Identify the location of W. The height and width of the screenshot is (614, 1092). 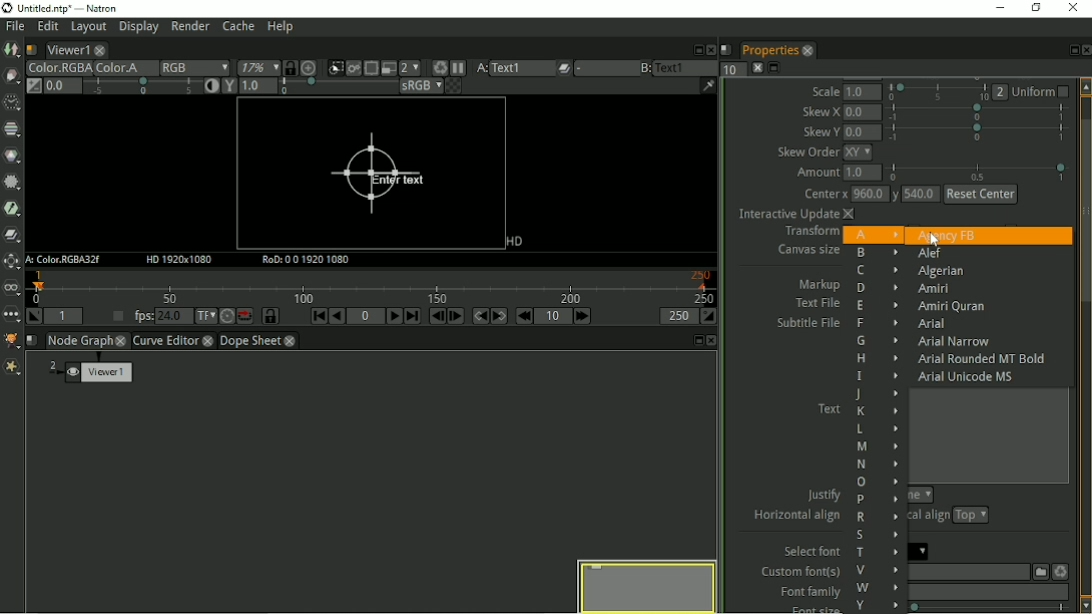
(877, 587).